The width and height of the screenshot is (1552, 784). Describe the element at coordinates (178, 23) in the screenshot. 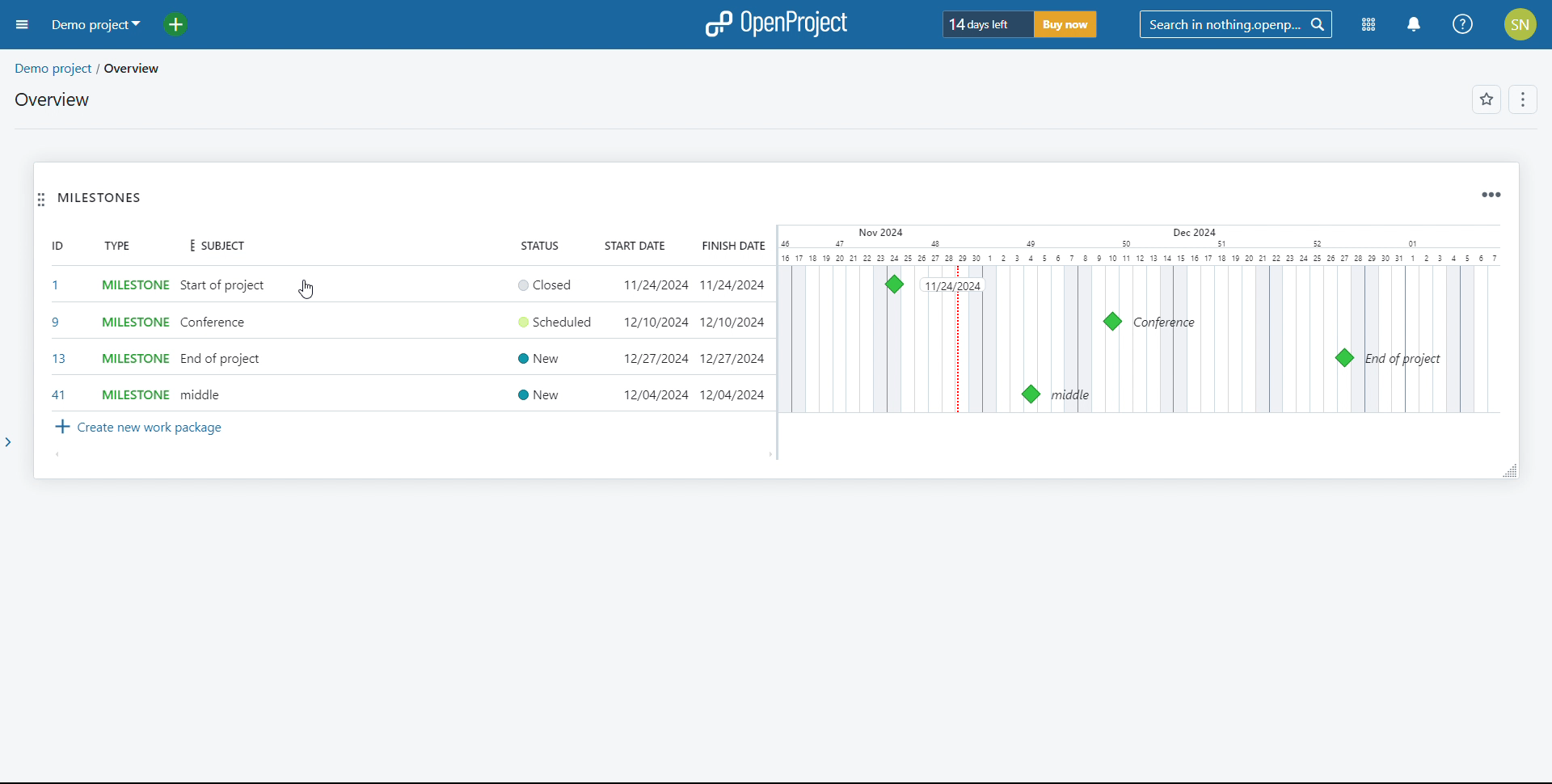

I see `add project` at that location.